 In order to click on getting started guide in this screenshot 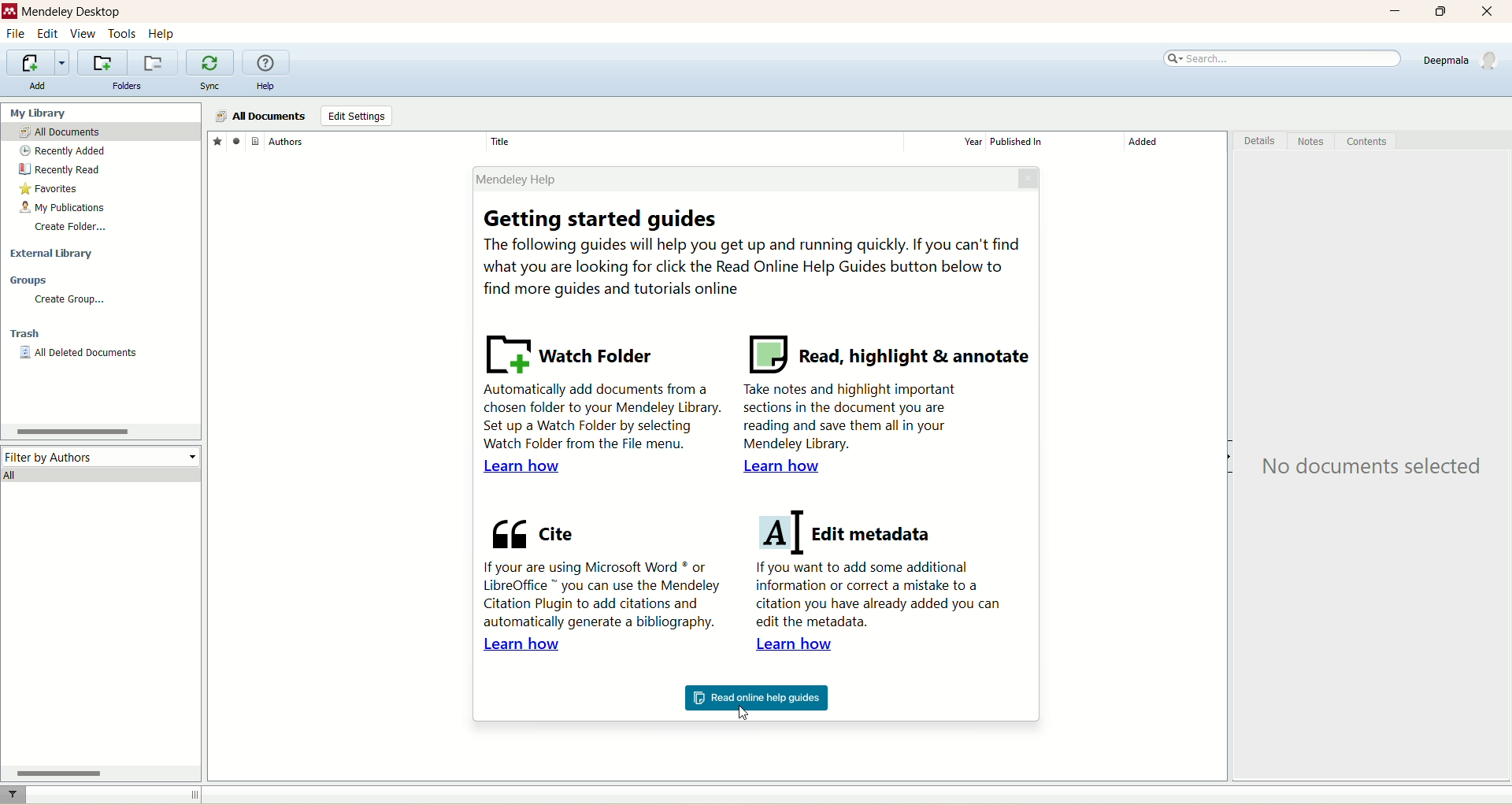, I will do `click(606, 220)`.